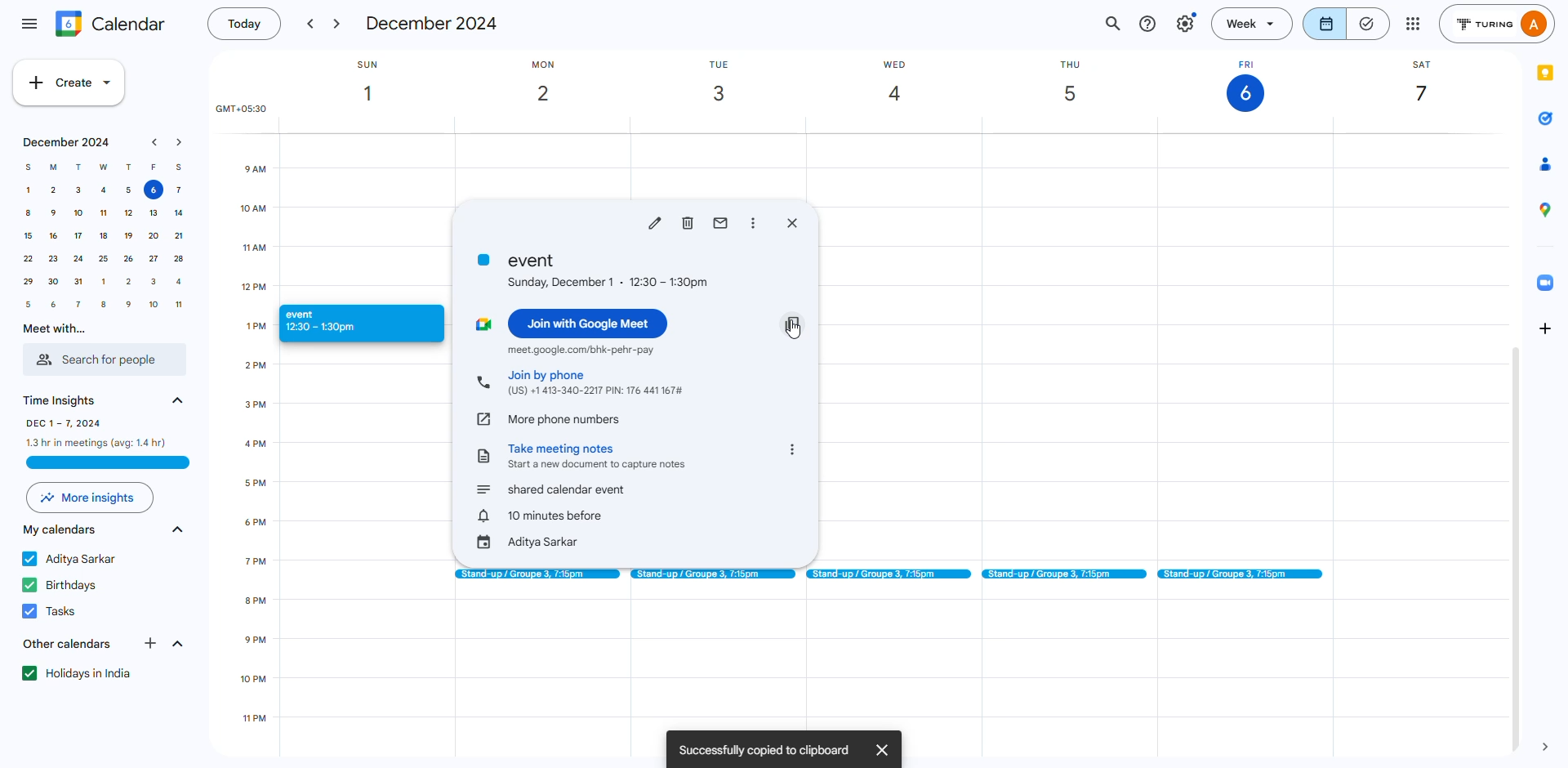  Describe the element at coordinates (339, 25) in the screenshot. I see `next` at that location.